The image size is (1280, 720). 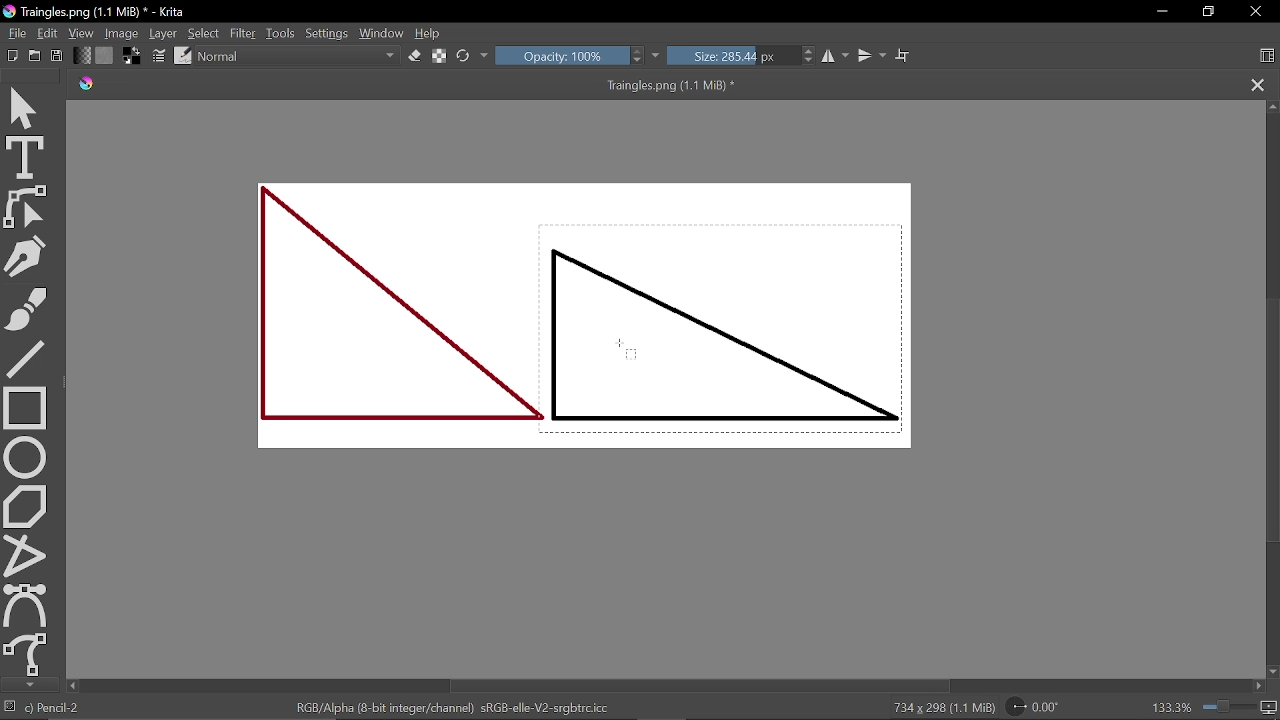 I want to click on rectangle tool, so click(x=26, y=406).